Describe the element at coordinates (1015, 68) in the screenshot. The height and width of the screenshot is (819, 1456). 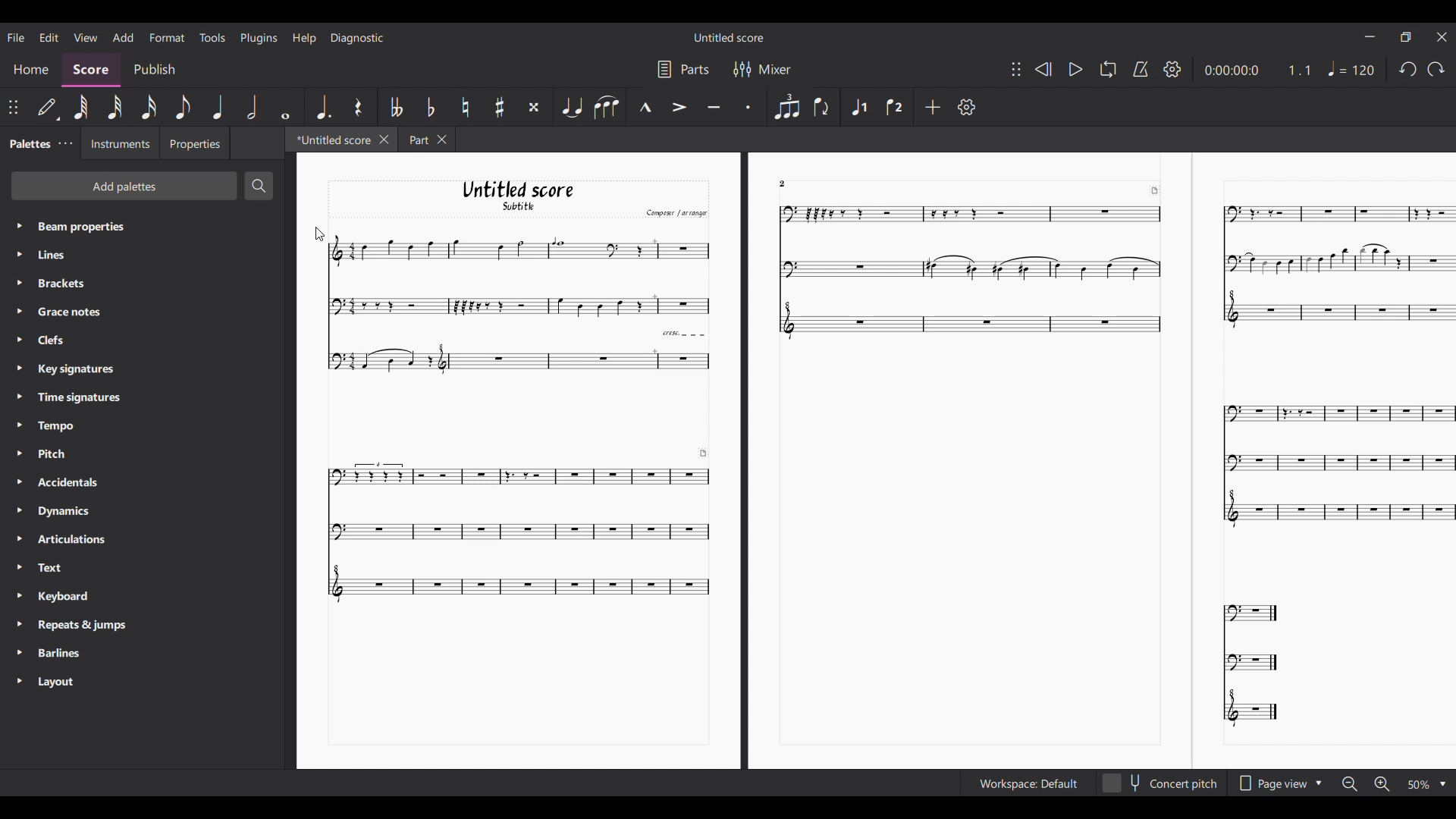
I see `Change position` at that location.